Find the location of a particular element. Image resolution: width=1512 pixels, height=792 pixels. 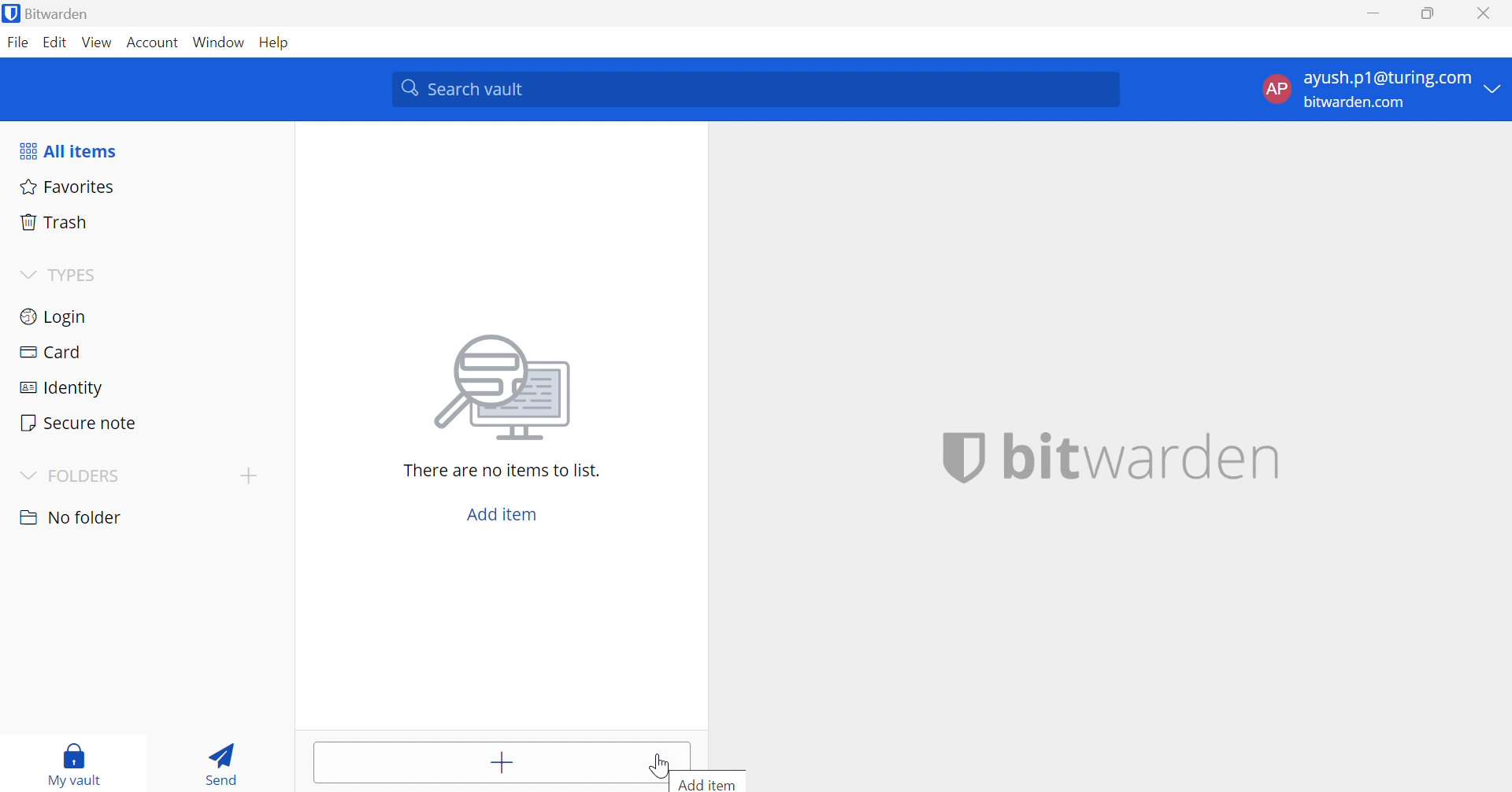

FOLDERS is located at coordinates (72, 476).